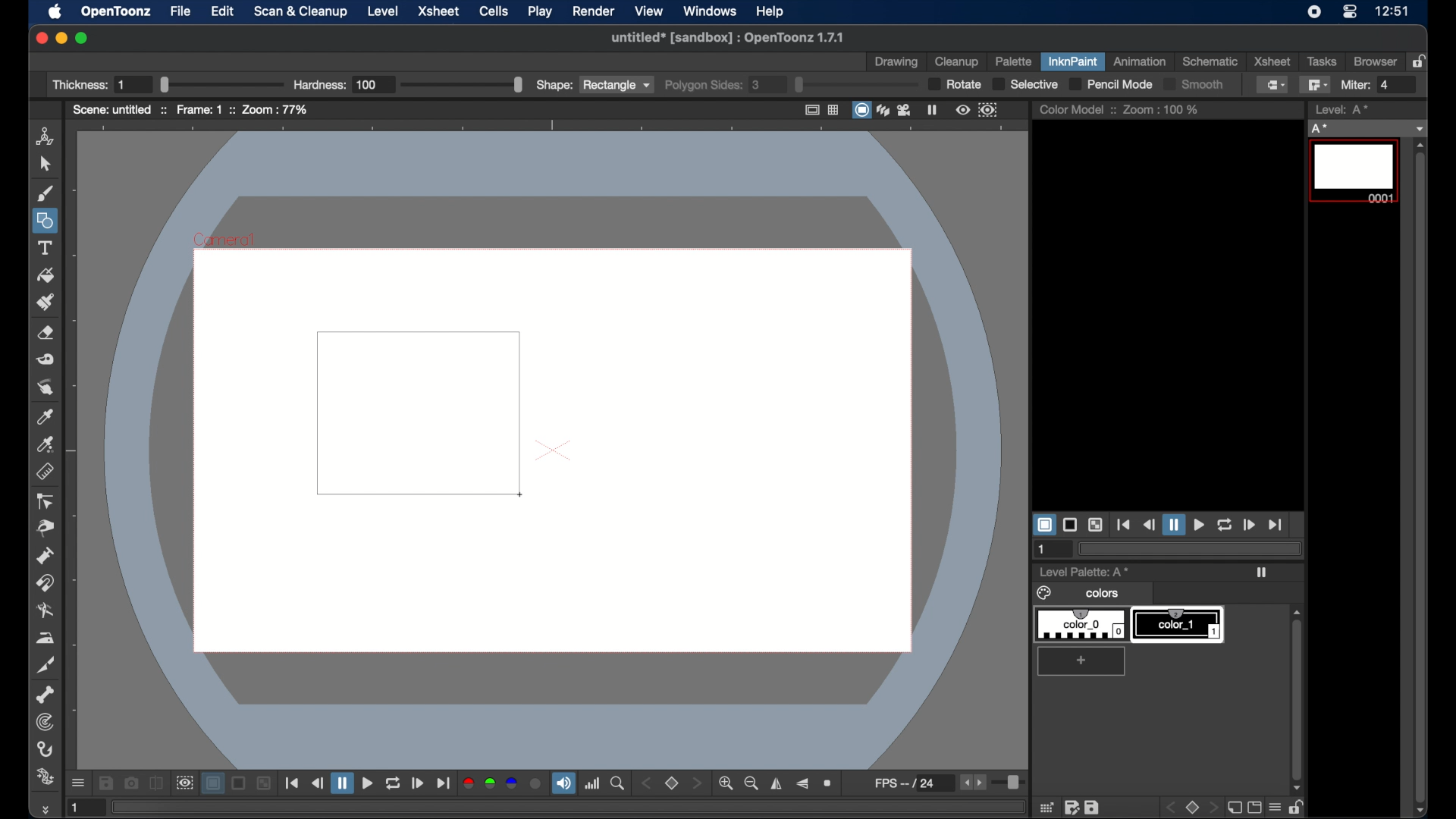 Image resolution: width=1456 pixels, height=819 pixels. Describe the element at coordinates (342, 783) in the screenshot. I see `pause button` at that location.